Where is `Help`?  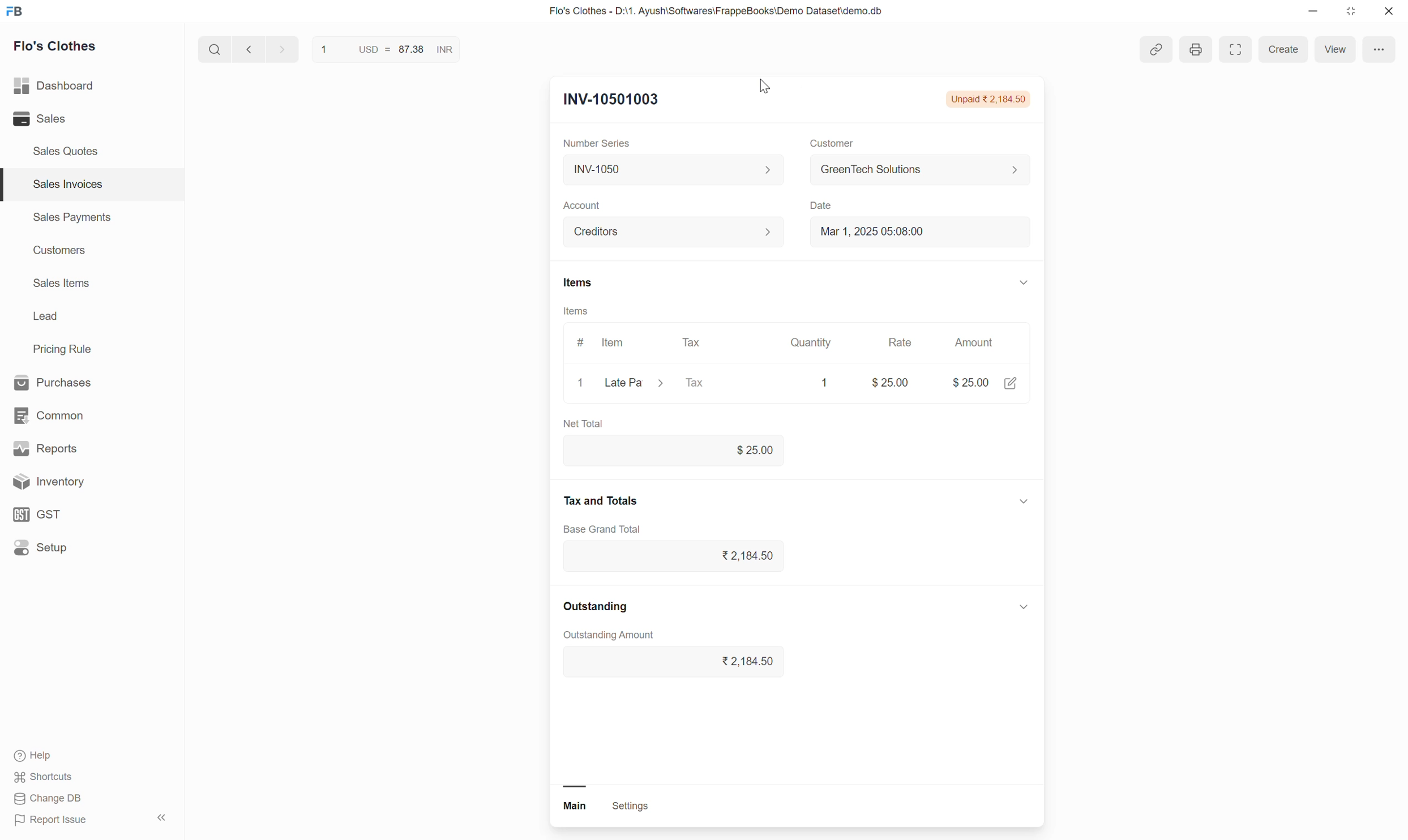
Help is located at coordinates (59, 755).